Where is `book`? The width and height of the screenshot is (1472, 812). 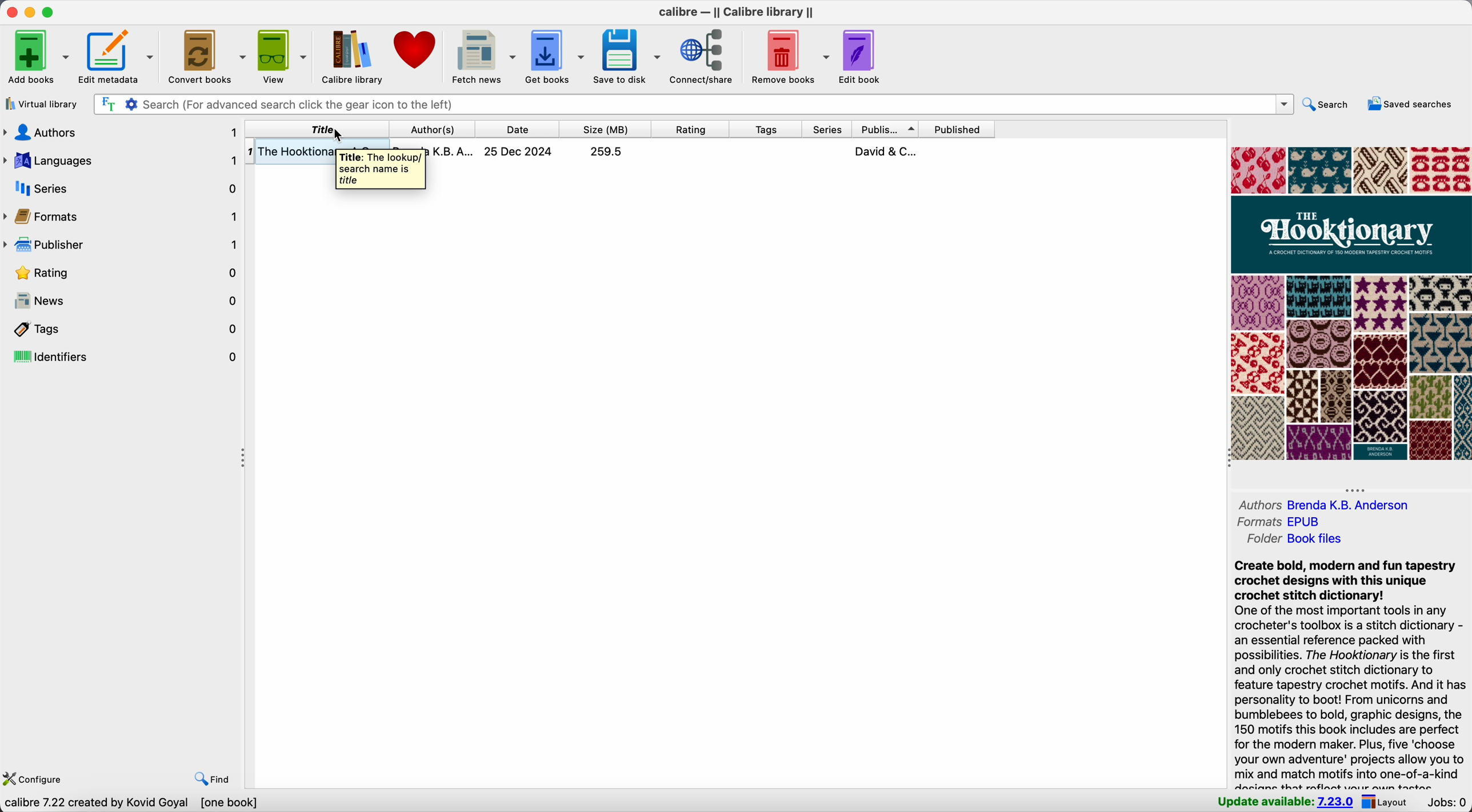 book is located at coordinates (711, 150).